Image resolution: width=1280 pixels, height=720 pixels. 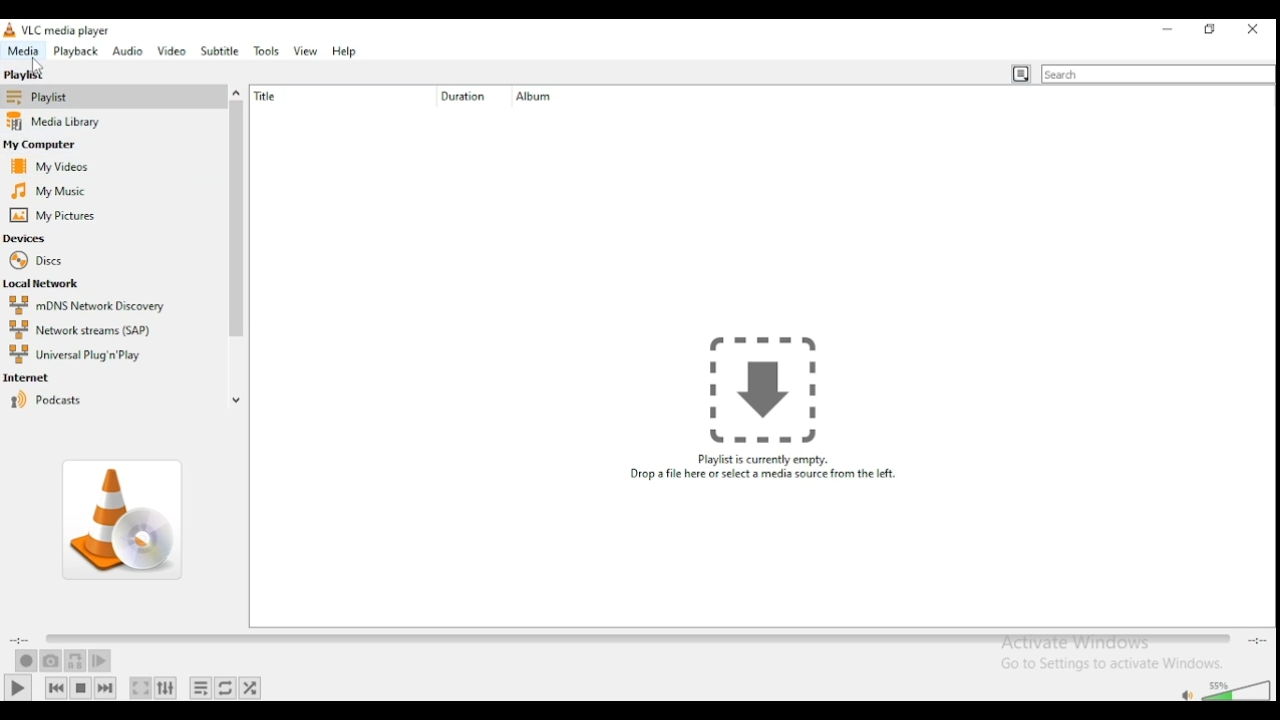 I want to click on stop, so click(x=82, y=688).